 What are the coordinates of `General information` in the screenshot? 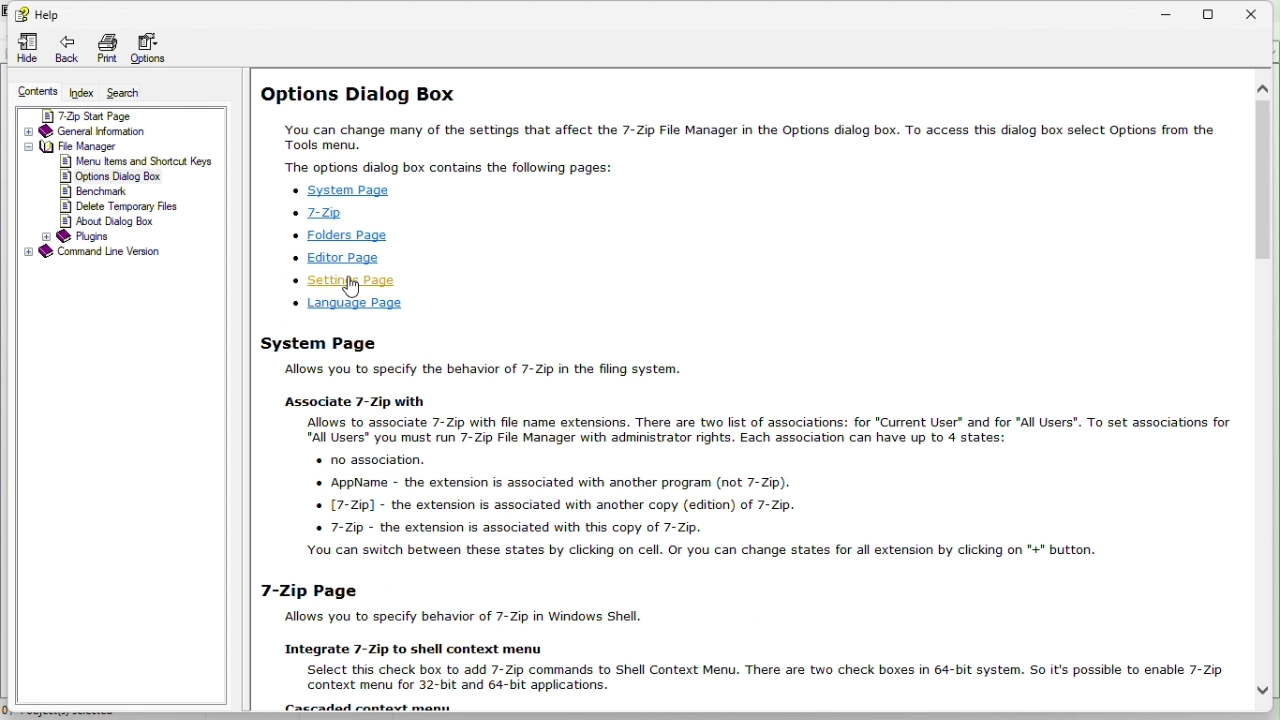 It's located at (91, 133).